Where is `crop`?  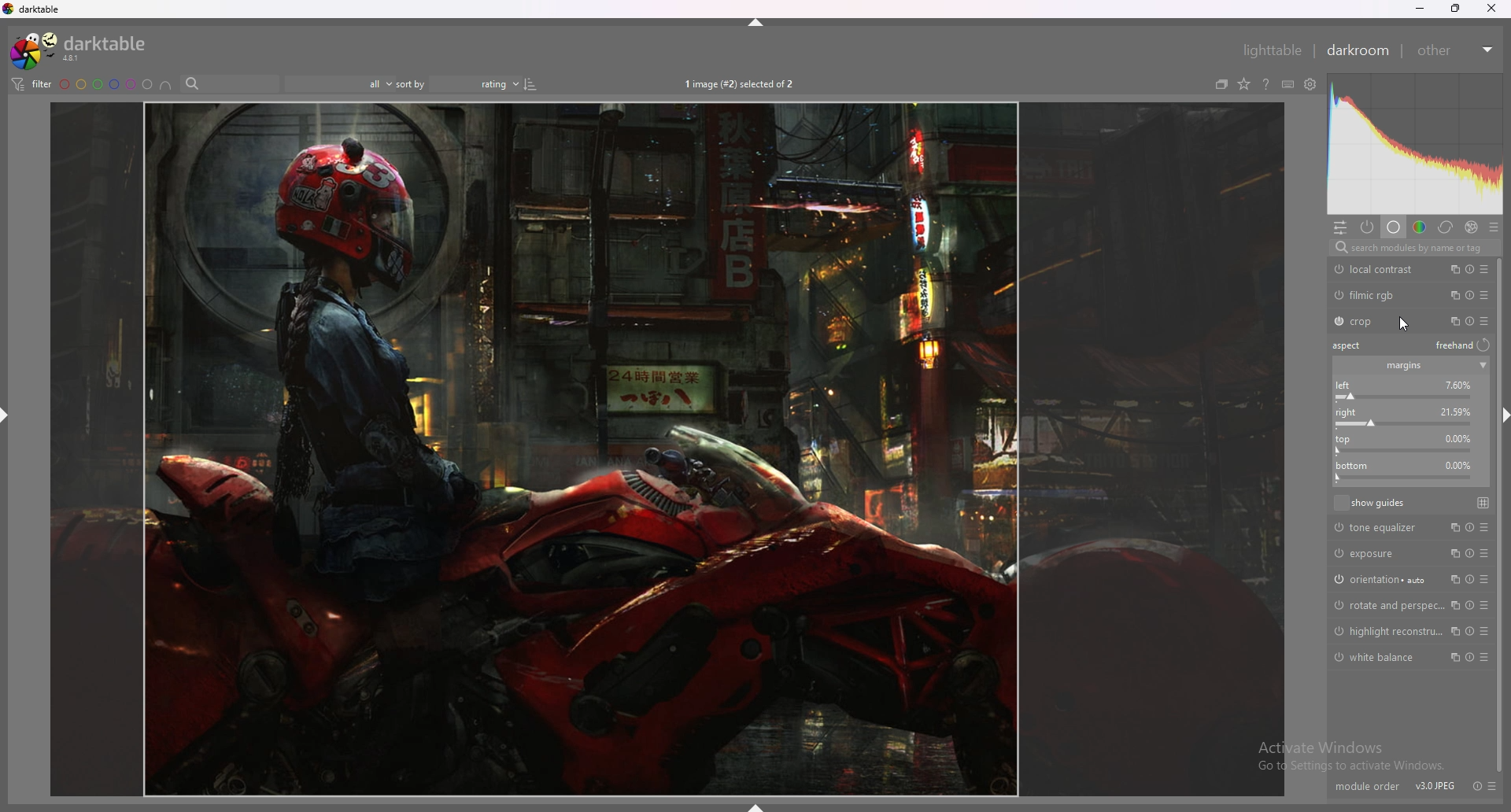
crop is located at coordinates (1379, 322).